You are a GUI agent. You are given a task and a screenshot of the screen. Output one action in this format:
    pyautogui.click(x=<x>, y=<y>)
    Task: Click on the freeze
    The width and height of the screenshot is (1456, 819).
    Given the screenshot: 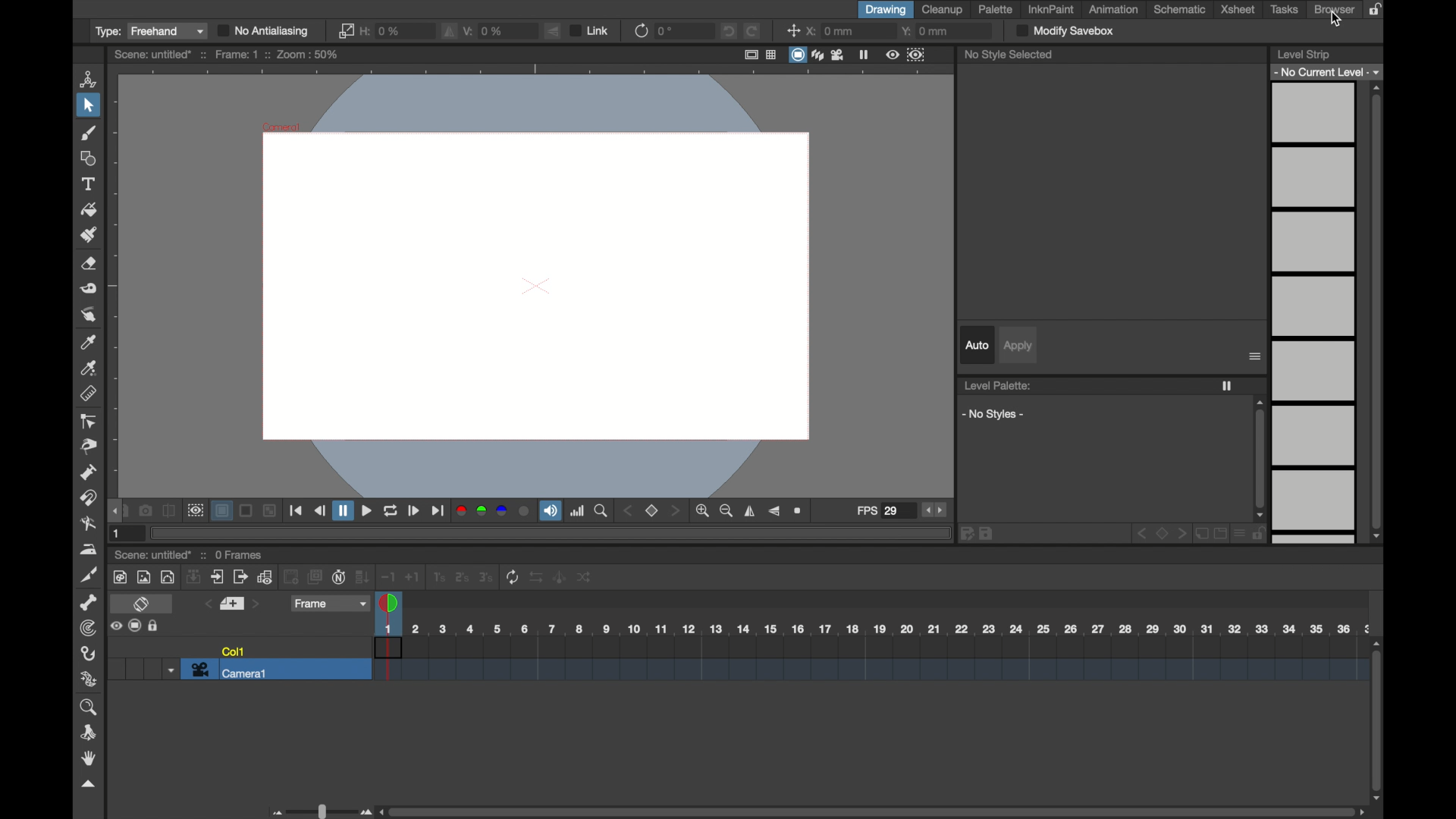 What is the action you would take?
    pyautogui.click(x=864, y=54)
    